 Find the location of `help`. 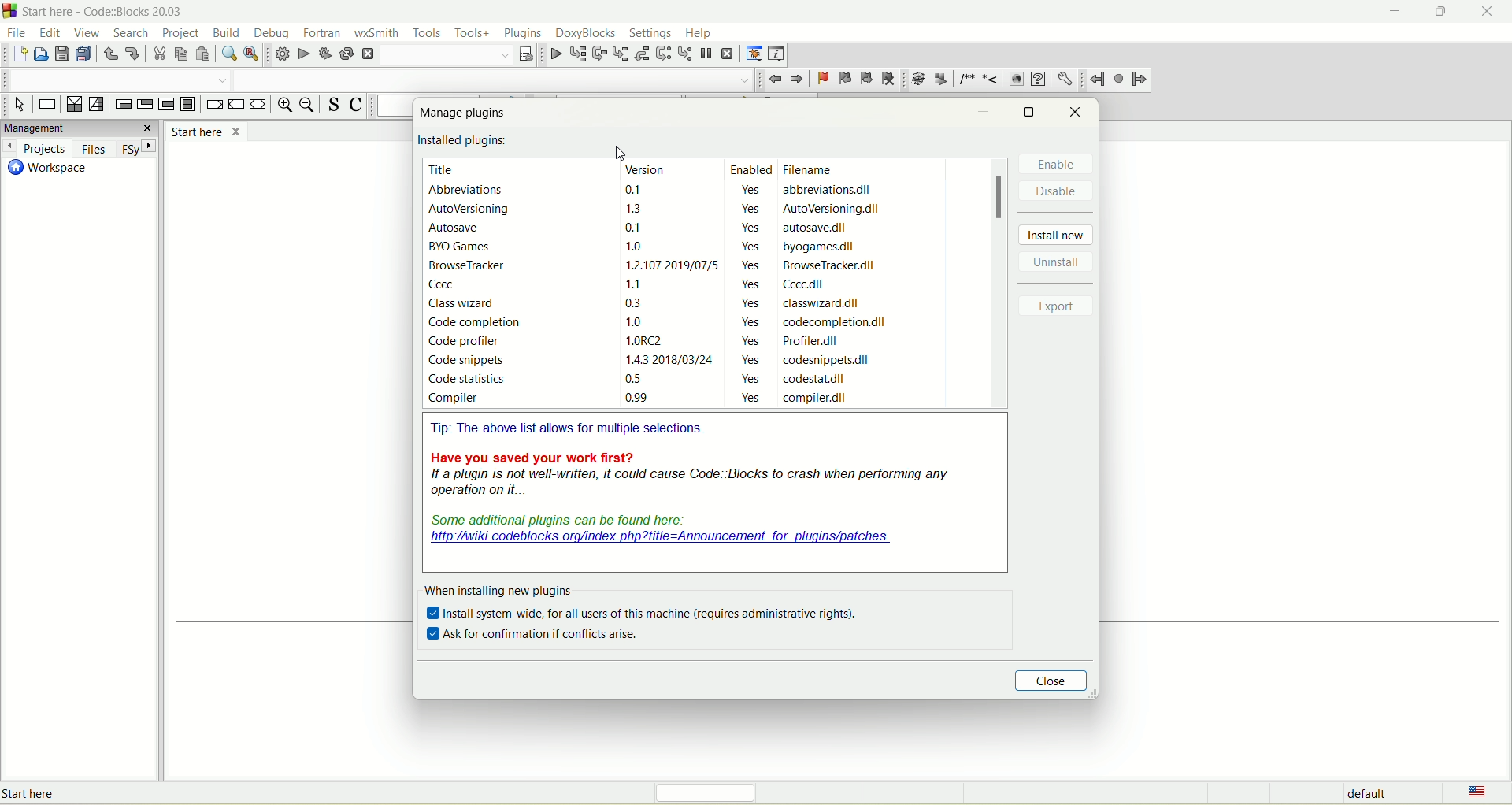

help is located at coordinates (1037, 79).